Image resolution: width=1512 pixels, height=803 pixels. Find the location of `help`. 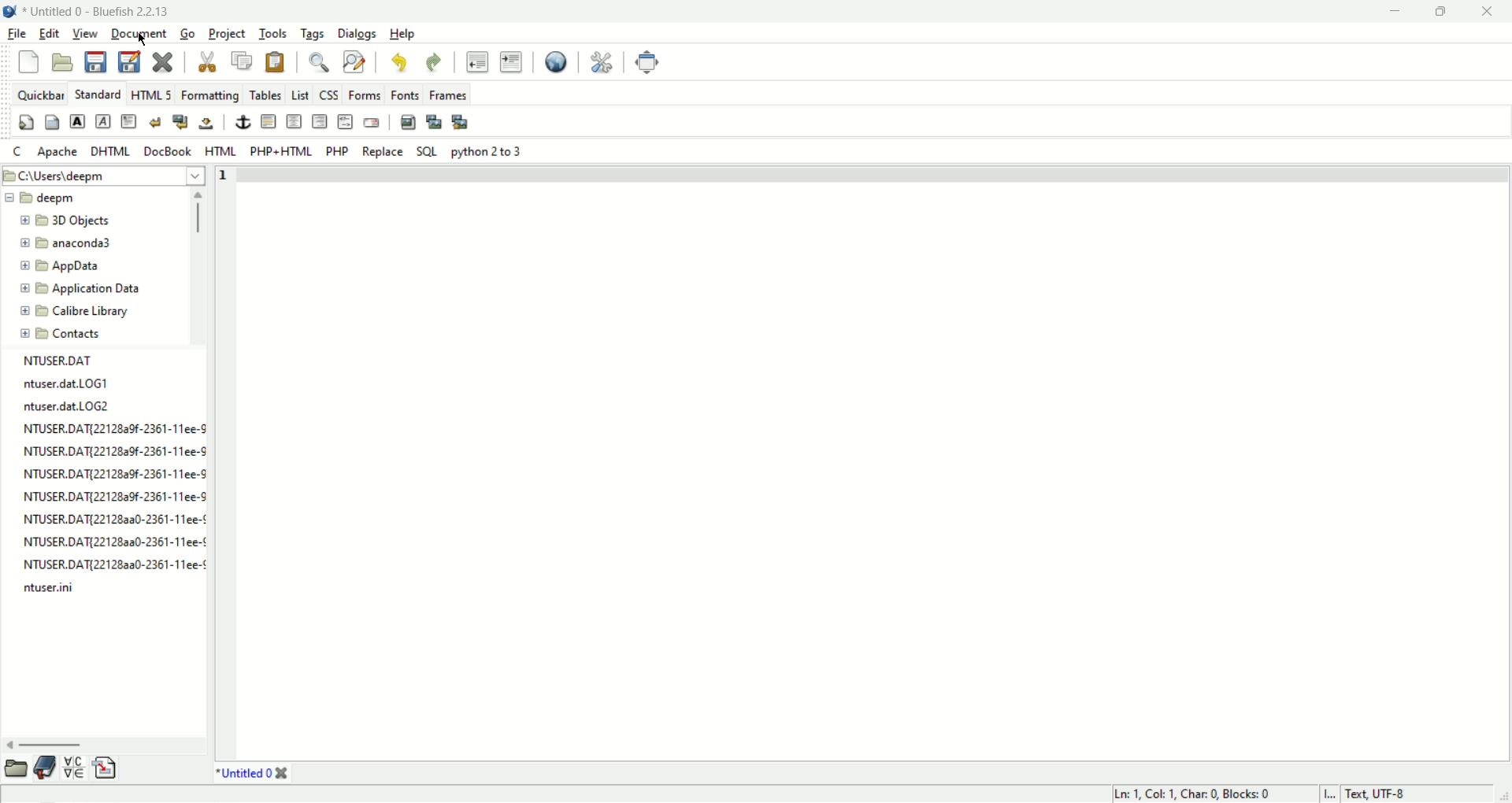

help is located at coordinates (402, 33).